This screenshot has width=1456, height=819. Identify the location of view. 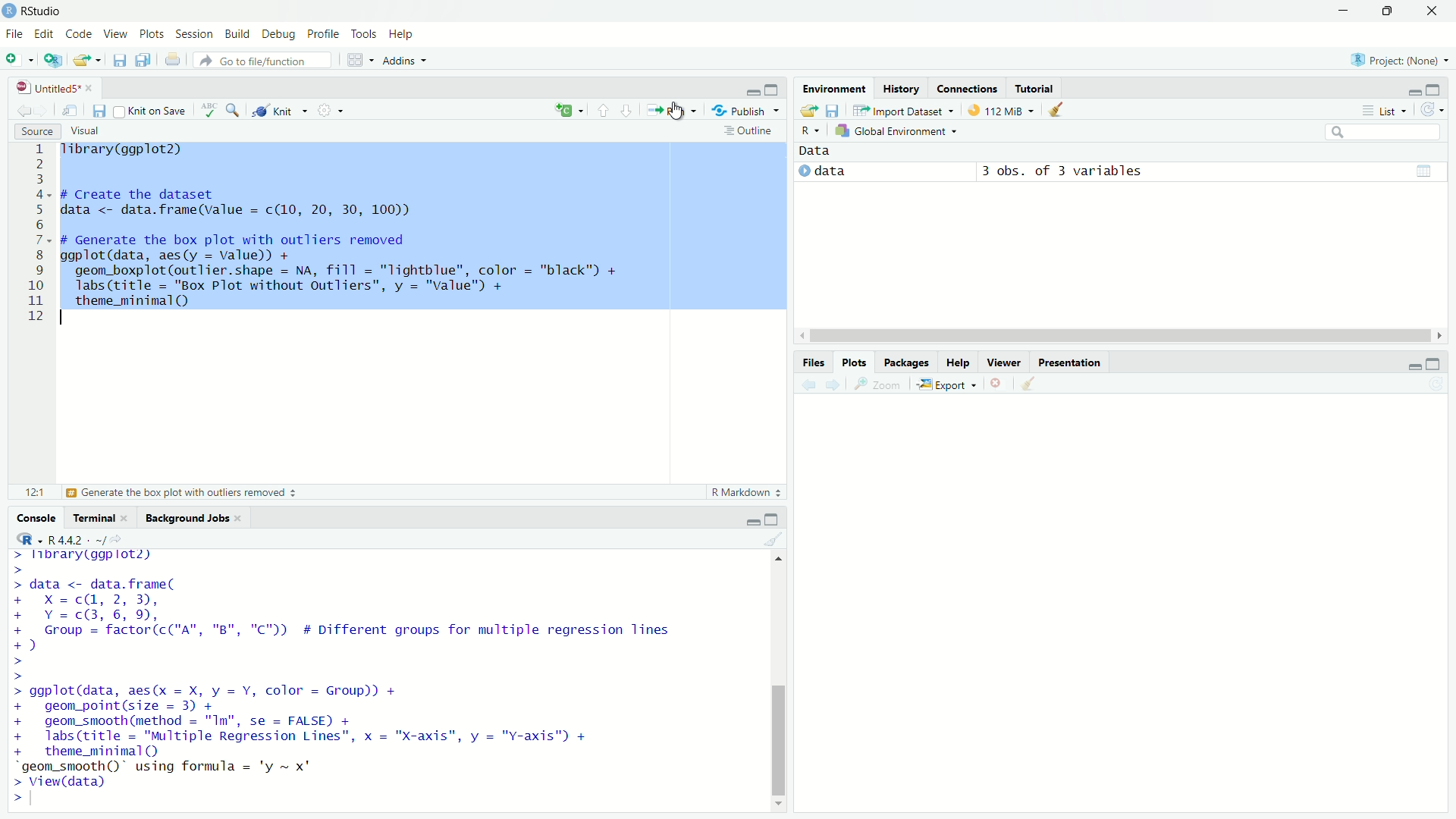
(1425, 168).